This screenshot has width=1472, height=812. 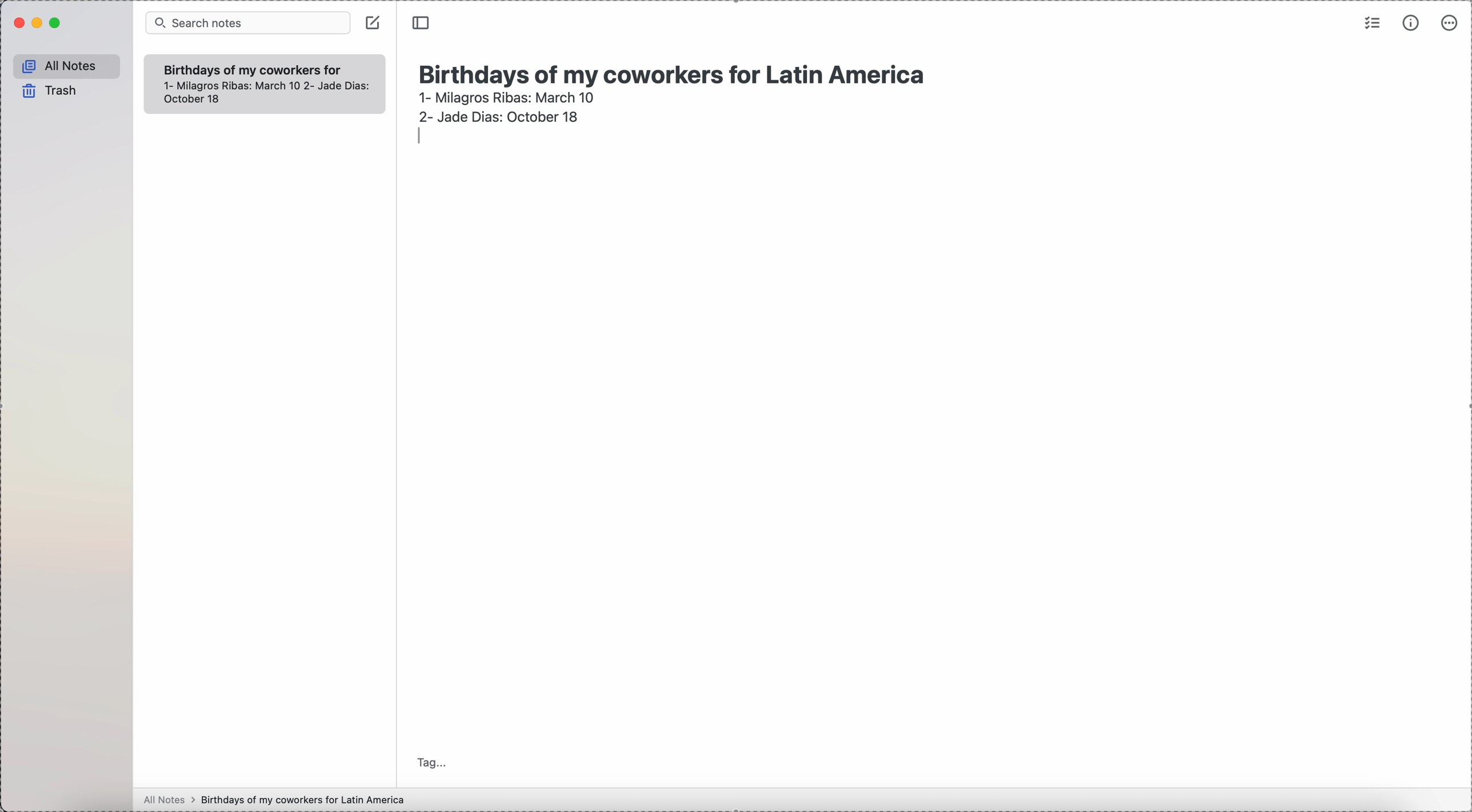 I want to click on enter, so click(x=421, y=135).